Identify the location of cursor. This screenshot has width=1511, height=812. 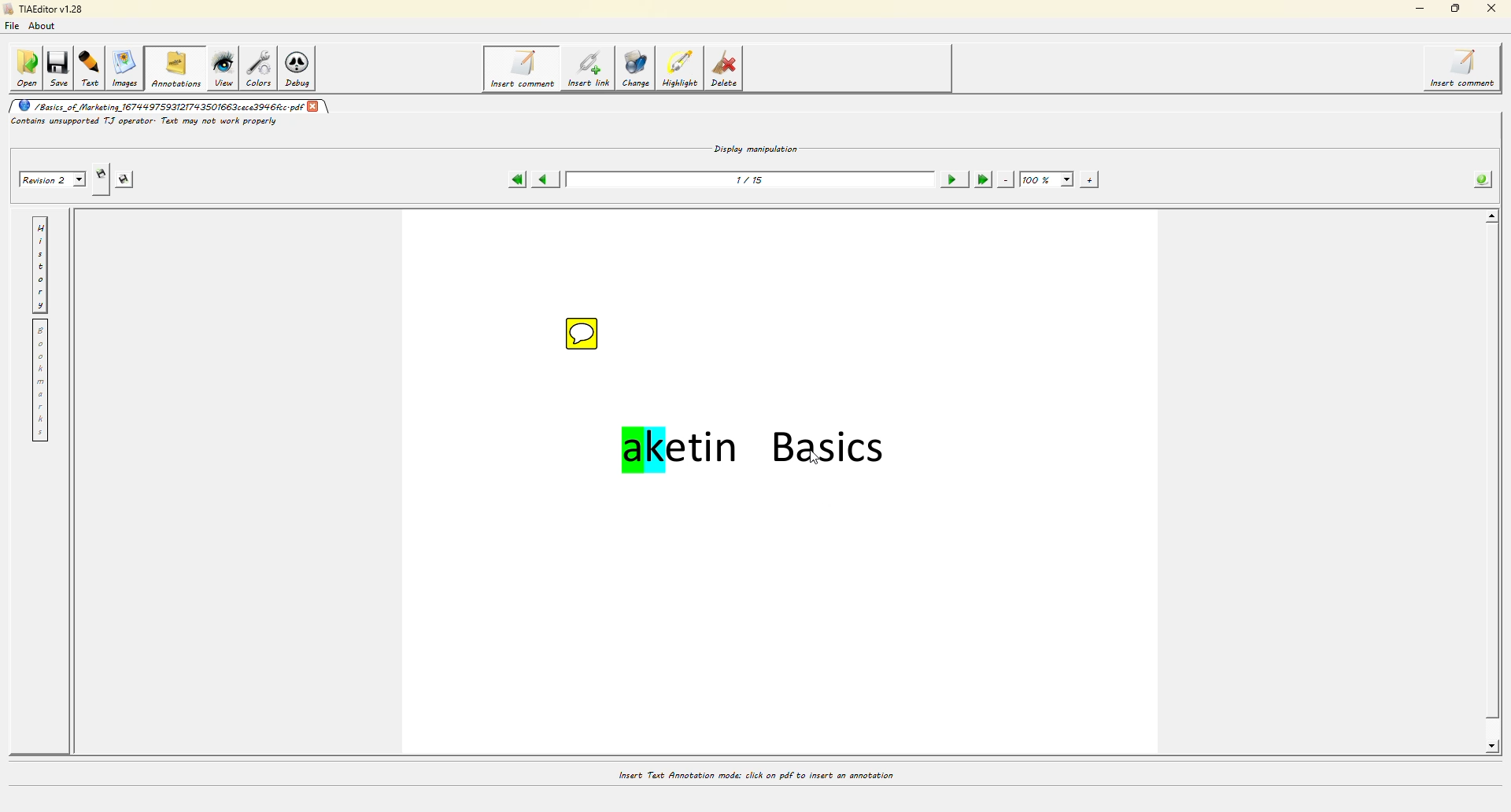
(817, 459).